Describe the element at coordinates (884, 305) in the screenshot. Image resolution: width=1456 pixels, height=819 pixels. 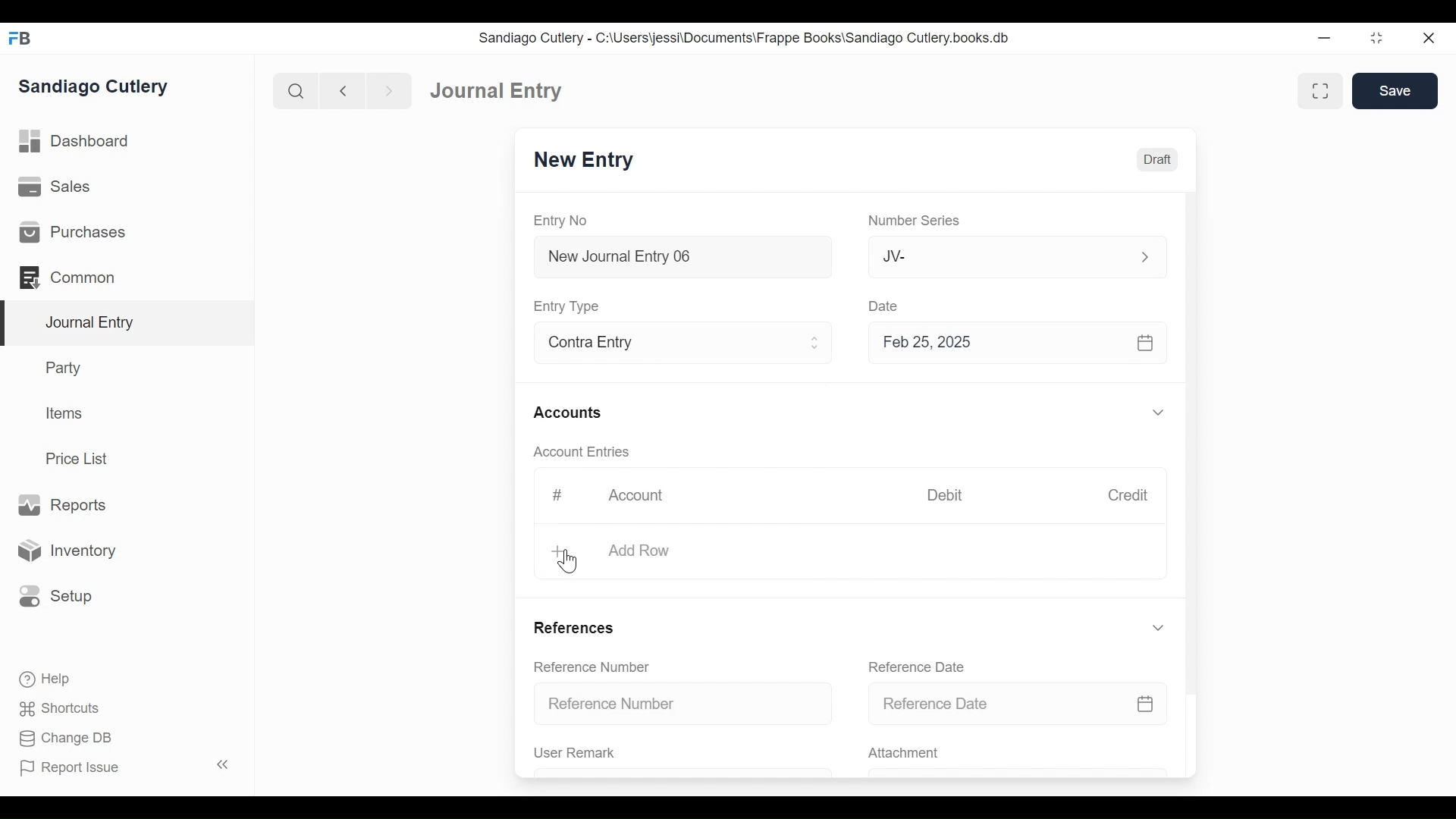
I see `Date` at that location.